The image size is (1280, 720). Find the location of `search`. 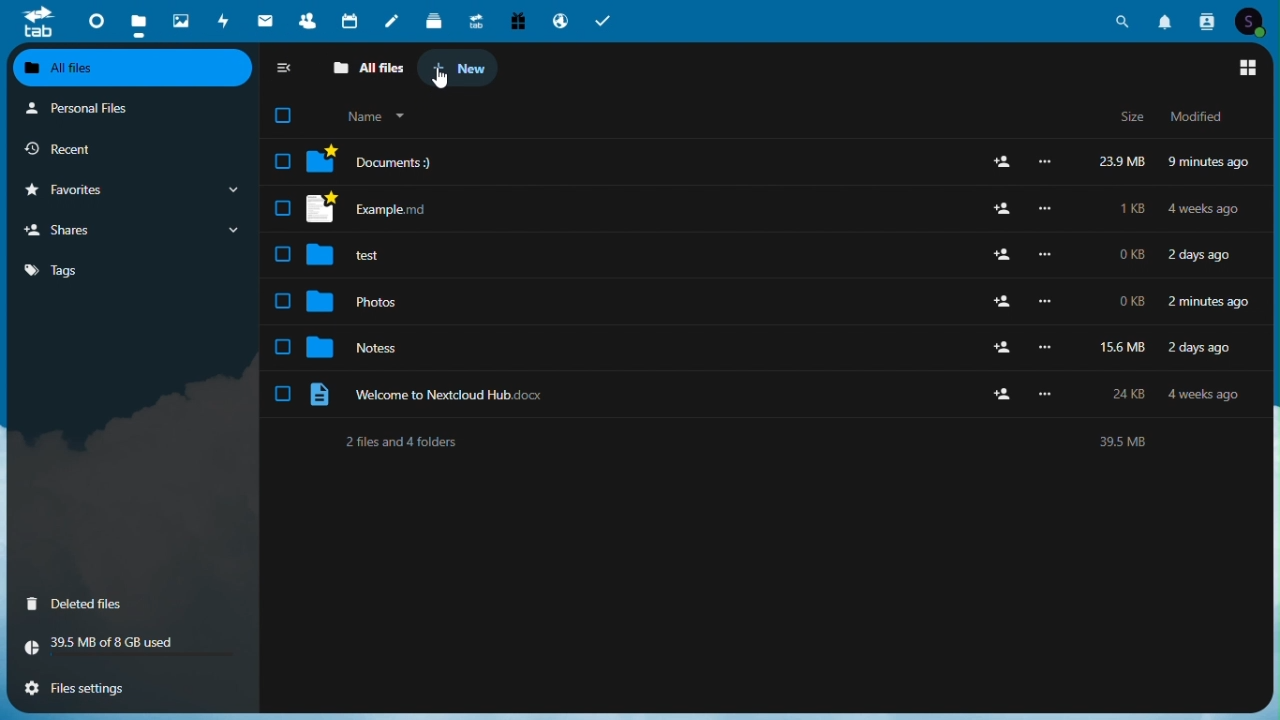

search is located at coordinates (1123, 19).